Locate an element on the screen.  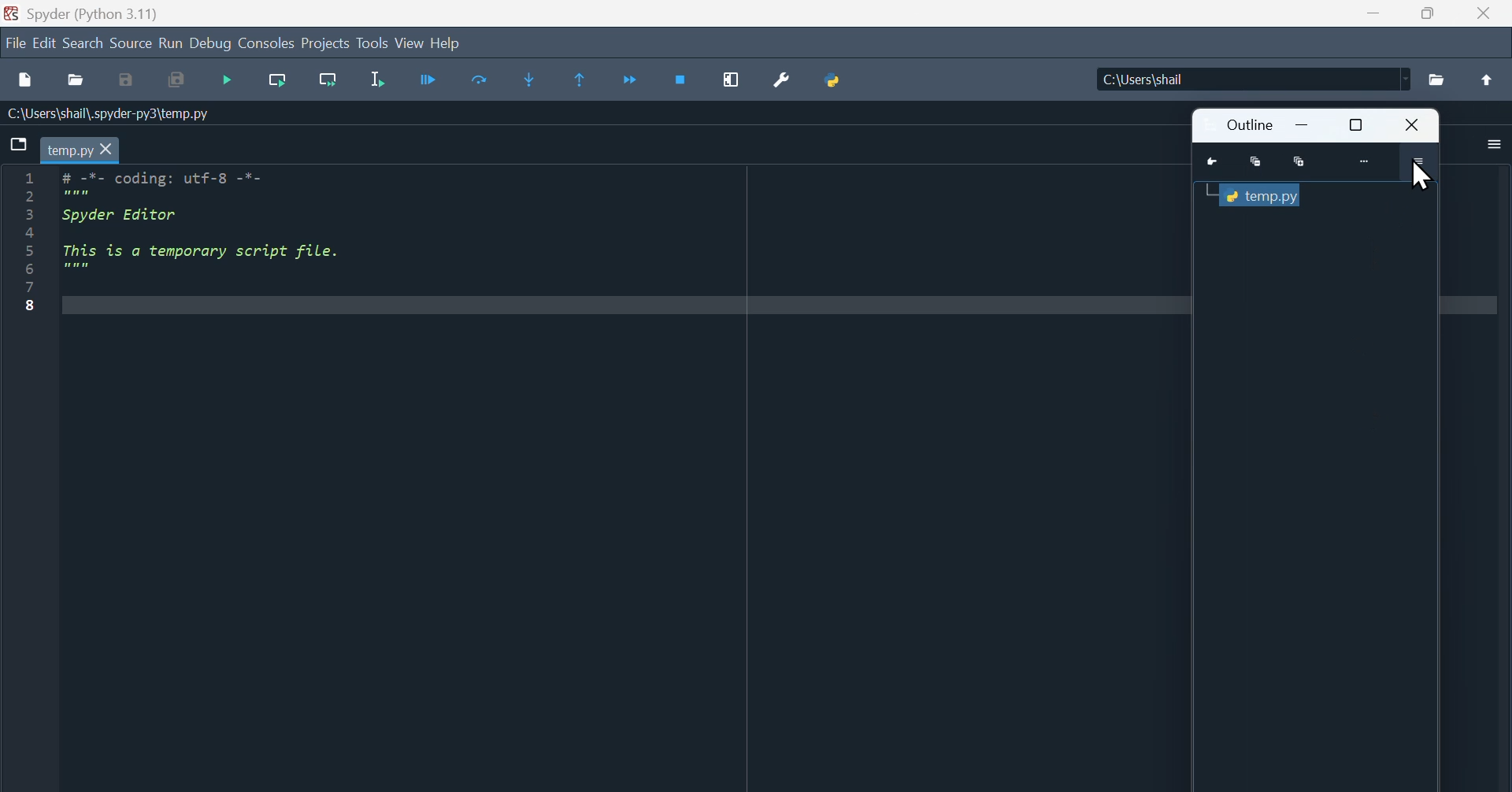
More options is located at coordinates (1492, 143).